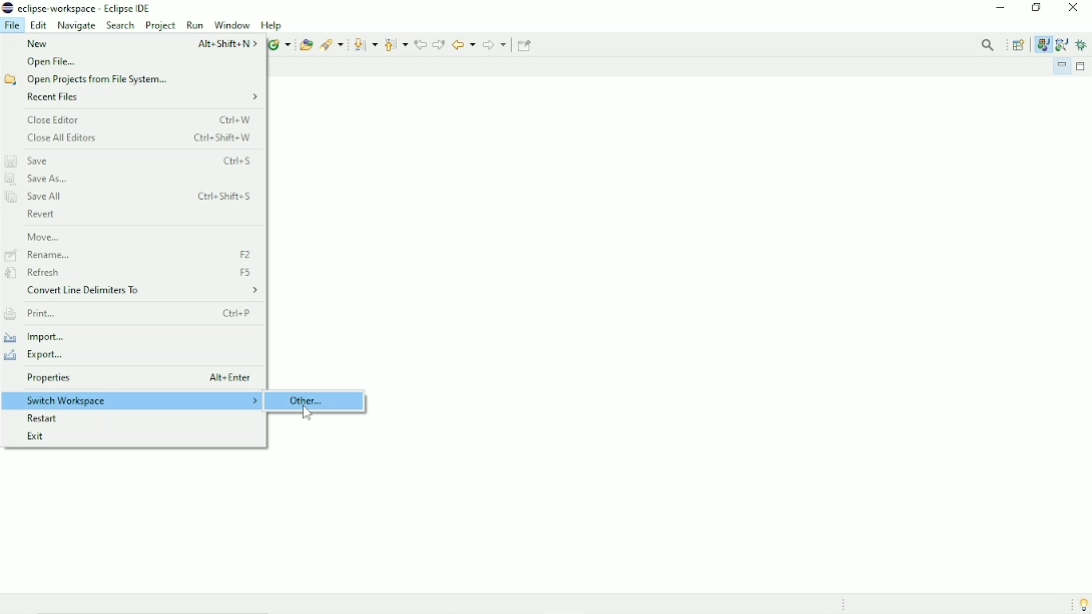  What do you see at coordinates (131, 198) in the screenshot?
I see `Save all` at bounding box center [131, 198].